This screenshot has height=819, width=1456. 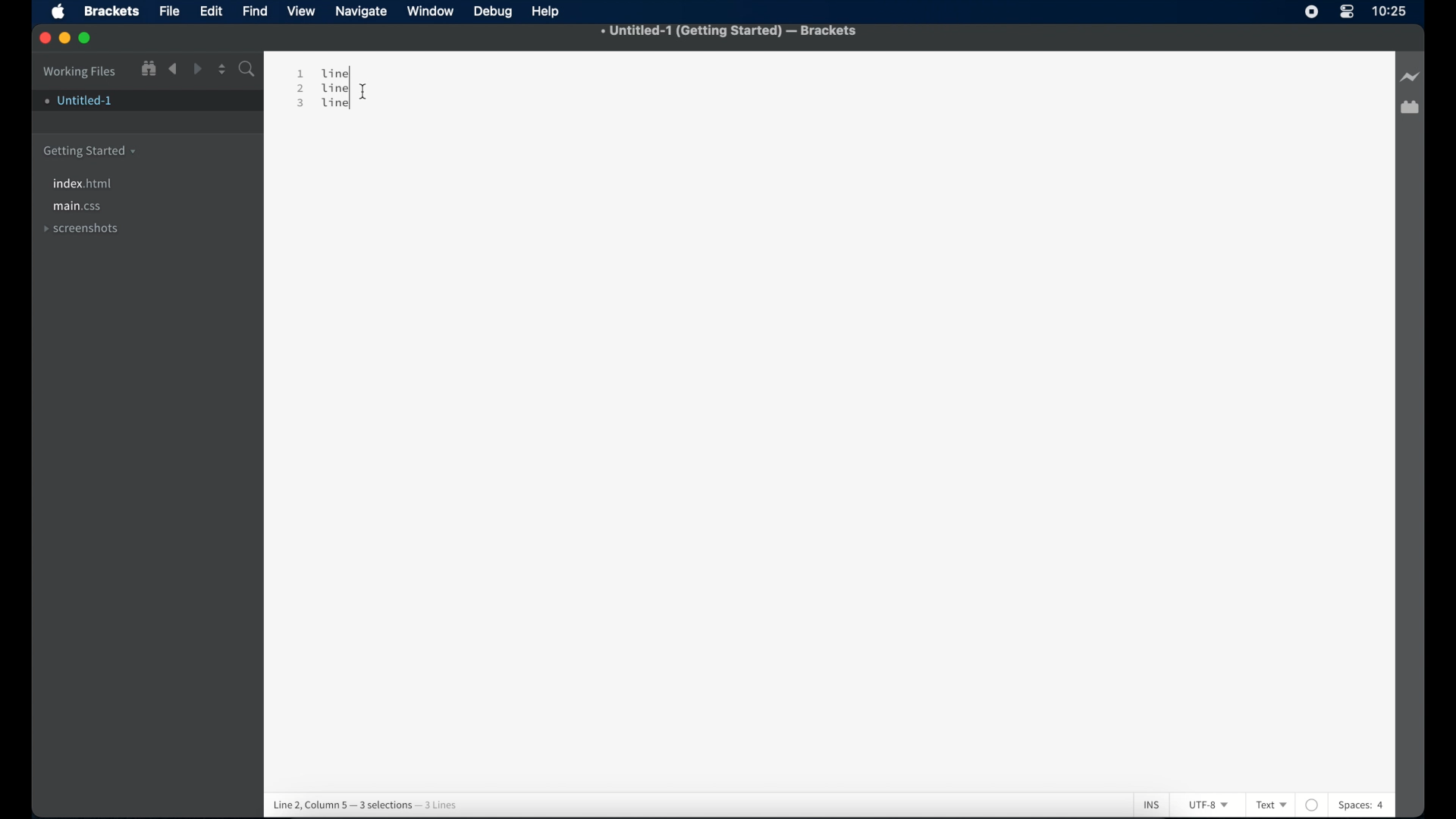 What do you see at coordinates (81, 227) in the screenshot?
I see `screenshots` at bounding box center [81, 227].